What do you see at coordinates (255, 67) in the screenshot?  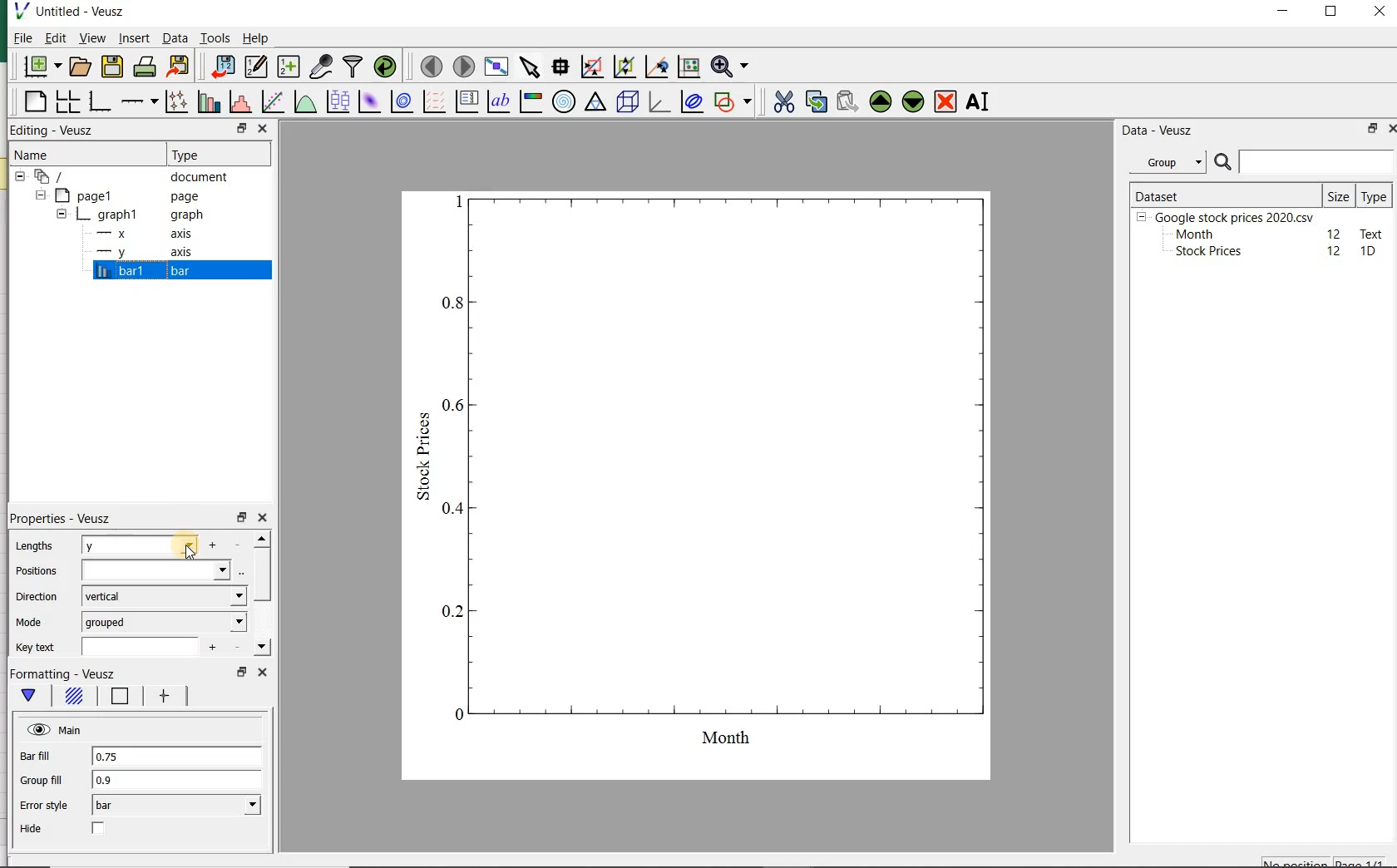 I see `edit and enter new datasets` at bounding box center [255, 67].